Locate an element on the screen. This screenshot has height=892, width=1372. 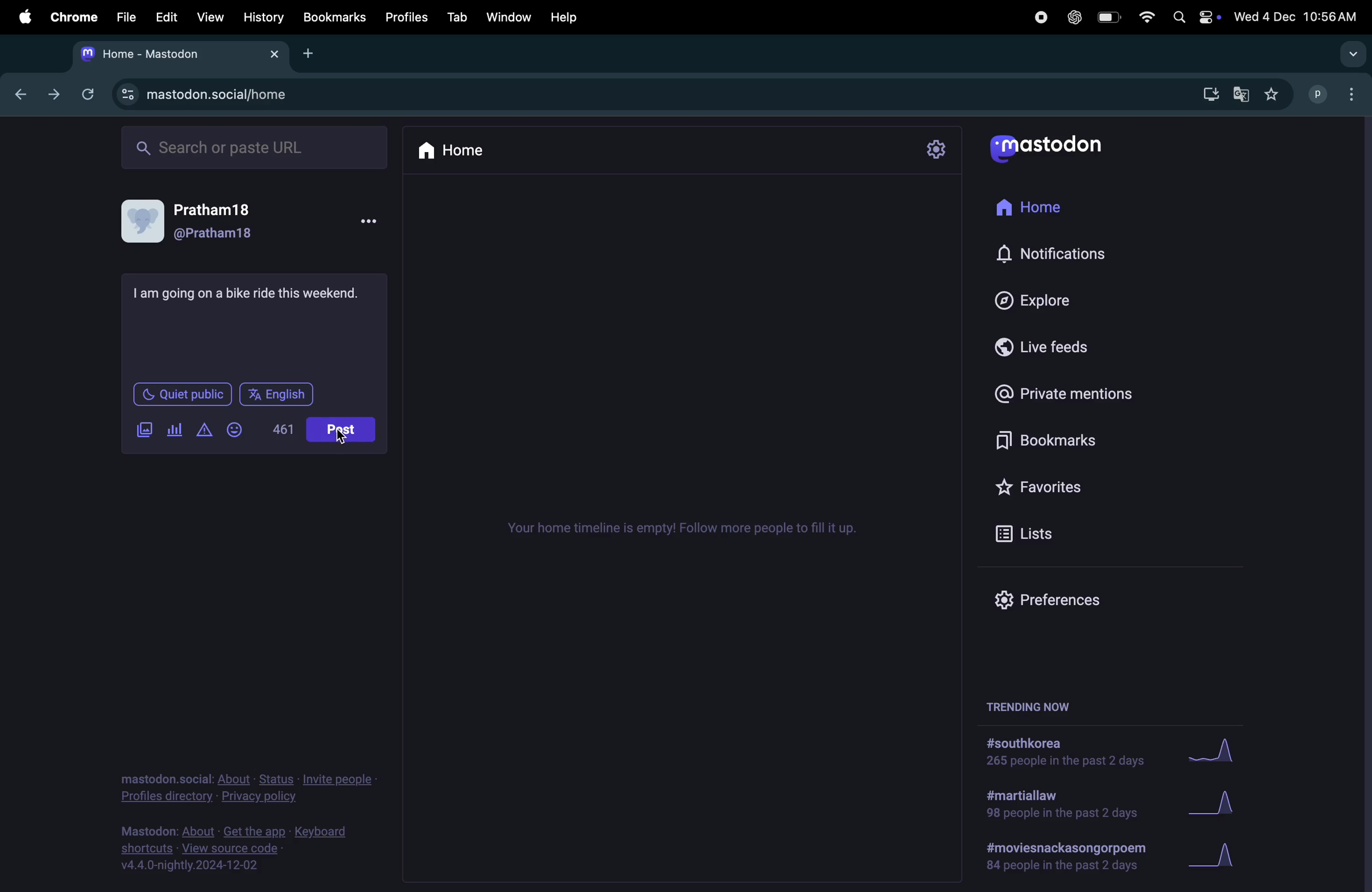
book marks is located at coordinates (1065, 436).